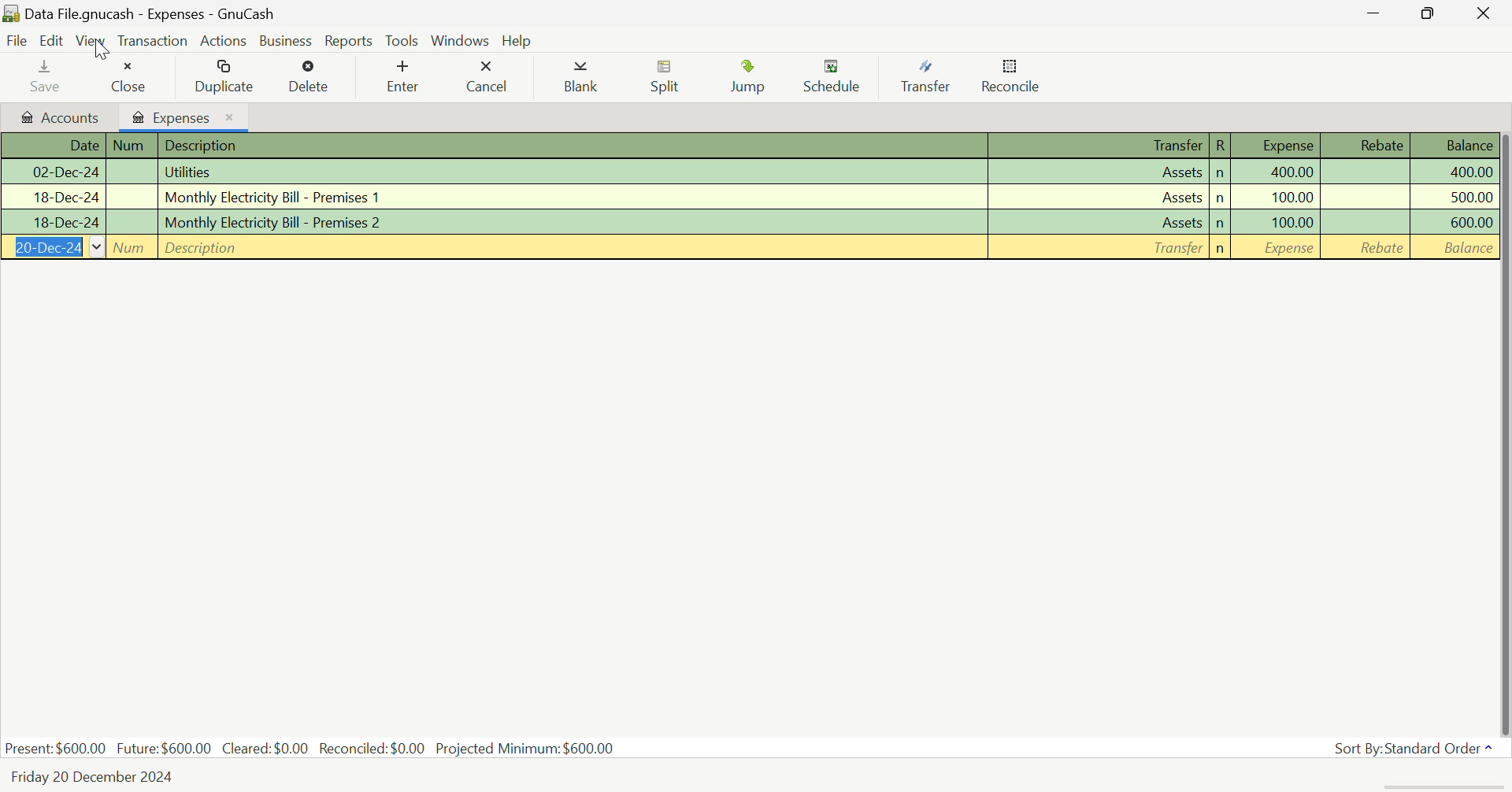  What do you see at coordinates (1365, 173) in the screenshot?
I see `Rebate` at bounding box center [1365, 173].